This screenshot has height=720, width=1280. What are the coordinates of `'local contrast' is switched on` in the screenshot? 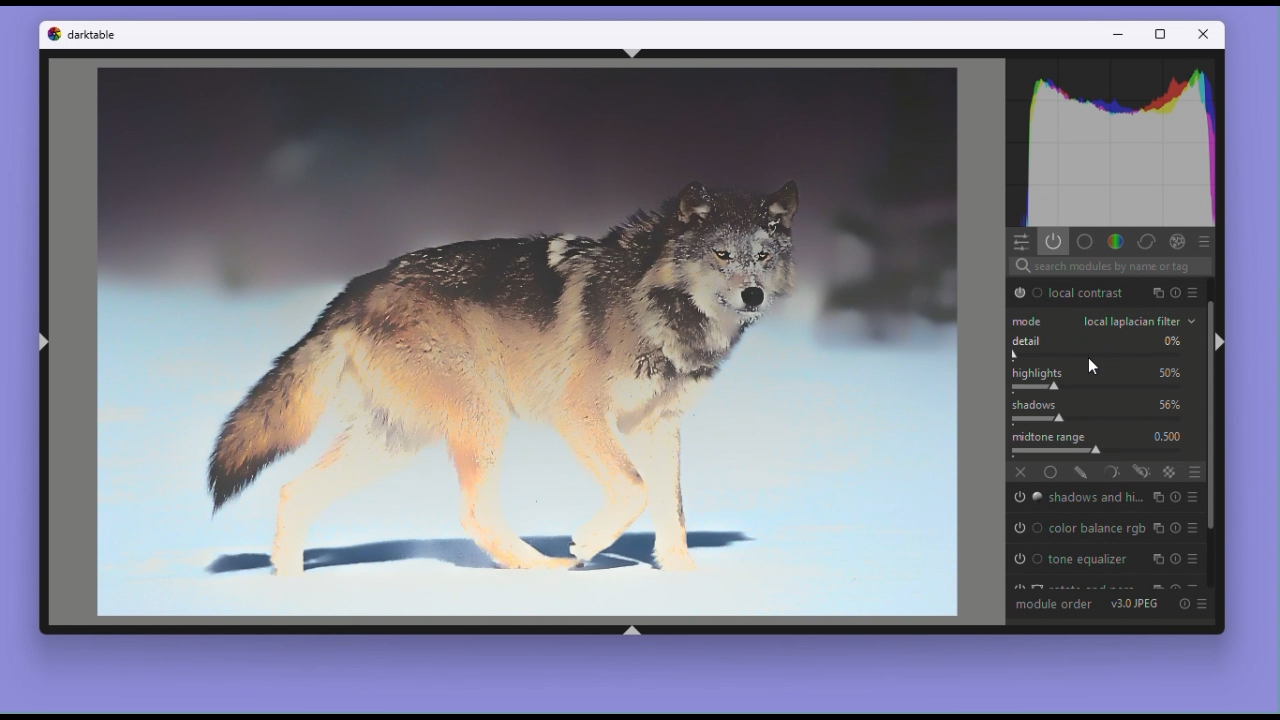 It's located at (1026, 292).